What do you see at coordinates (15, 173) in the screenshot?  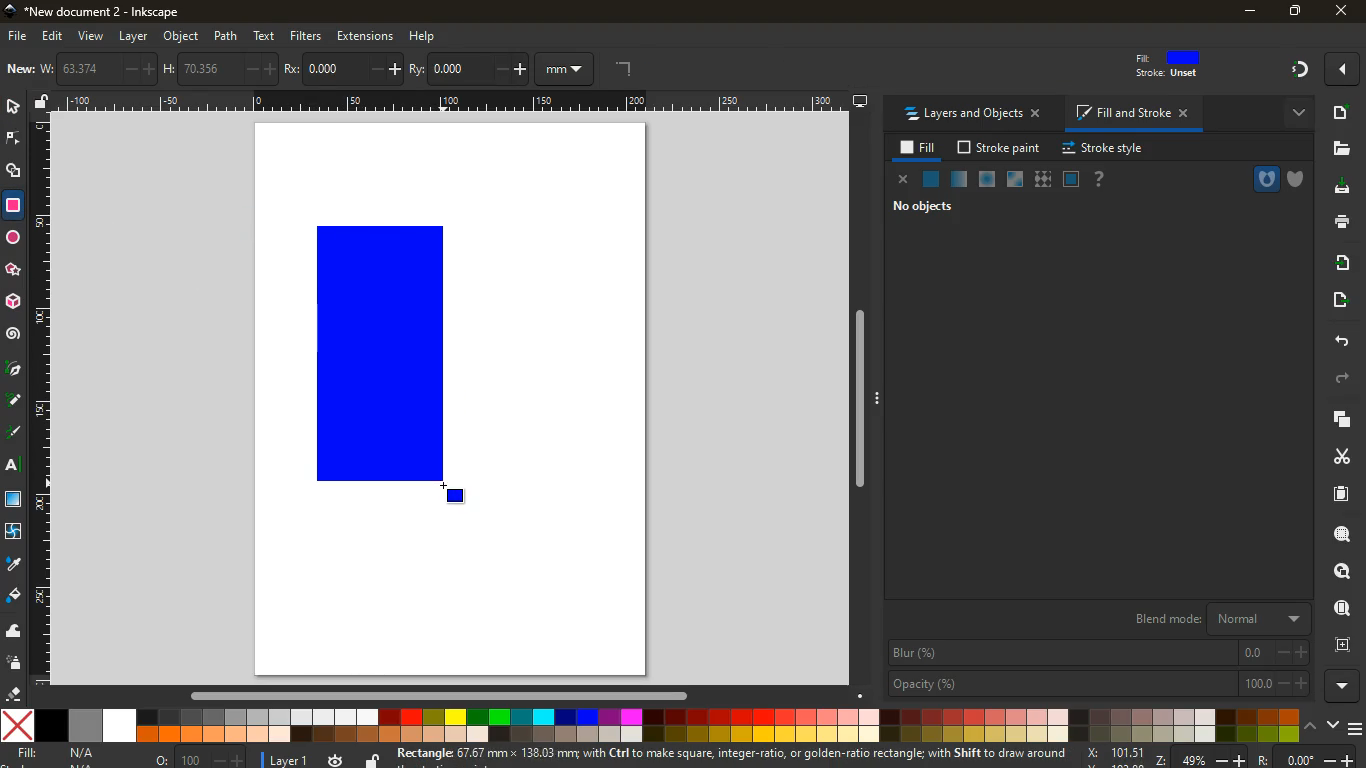 I see `shapes` at bounding box center [15, 173].